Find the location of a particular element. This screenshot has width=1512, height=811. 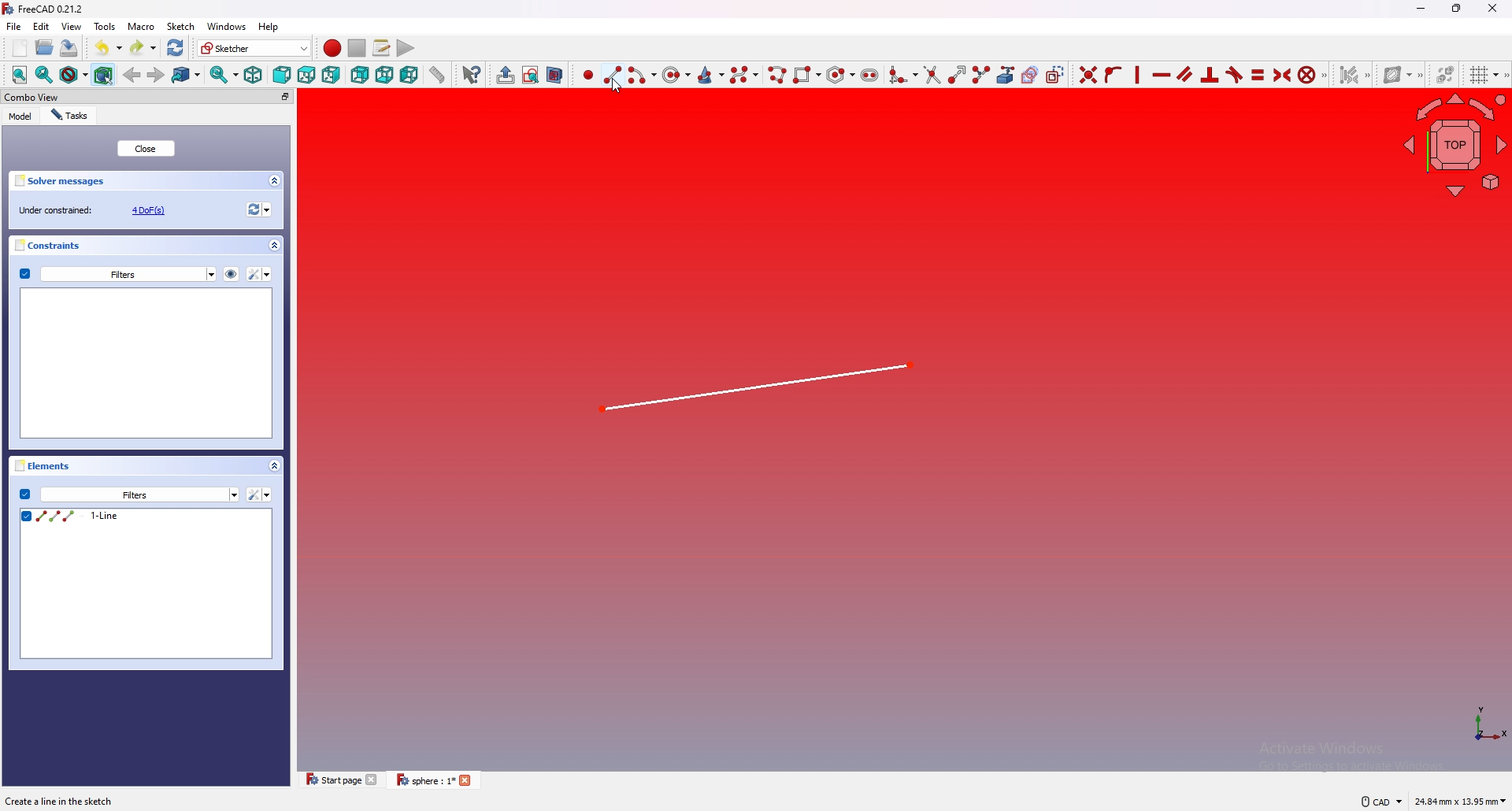

View is located at coordinates (1454, 147).